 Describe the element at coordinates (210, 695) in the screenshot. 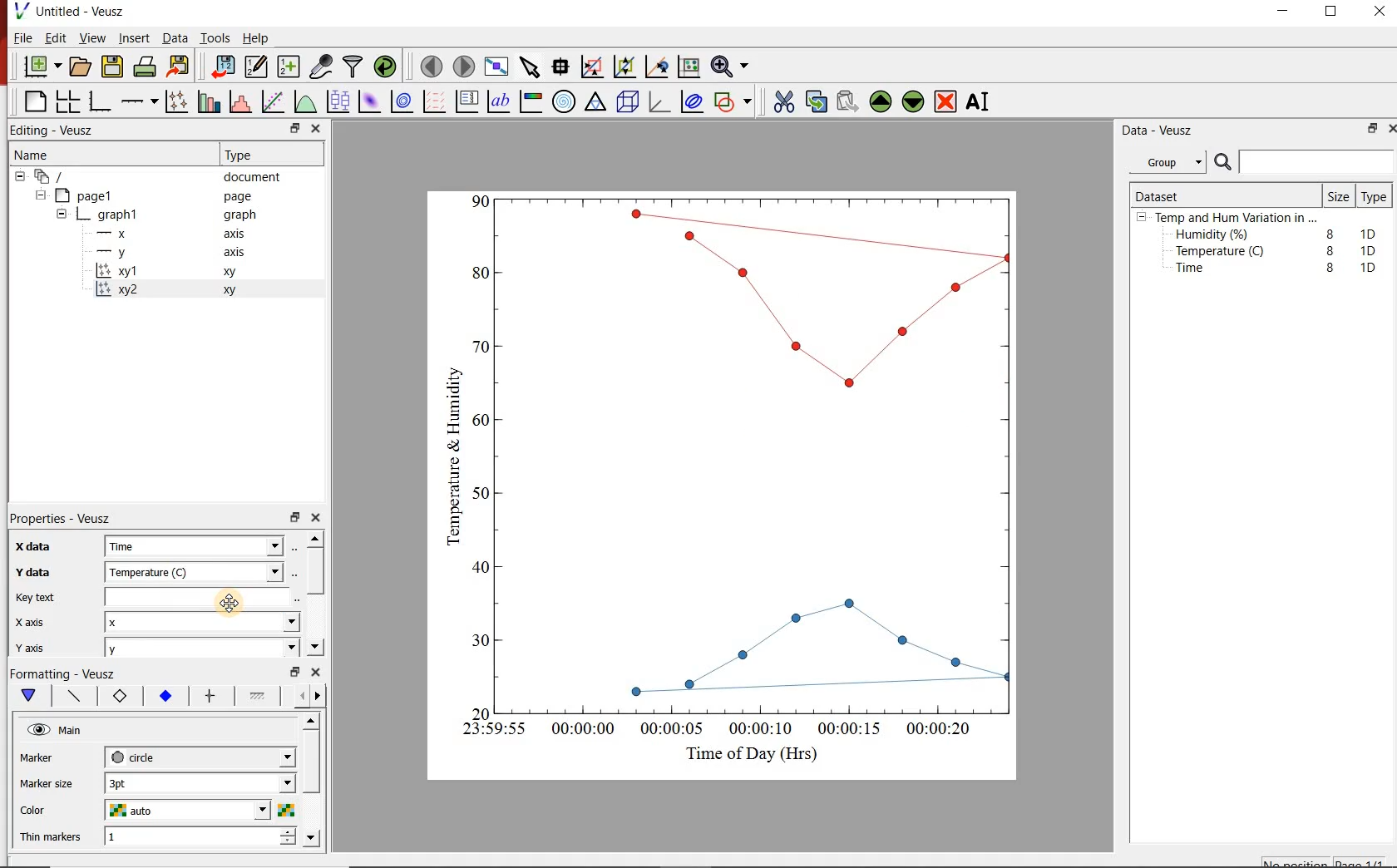

I see `error bar line` at that location.